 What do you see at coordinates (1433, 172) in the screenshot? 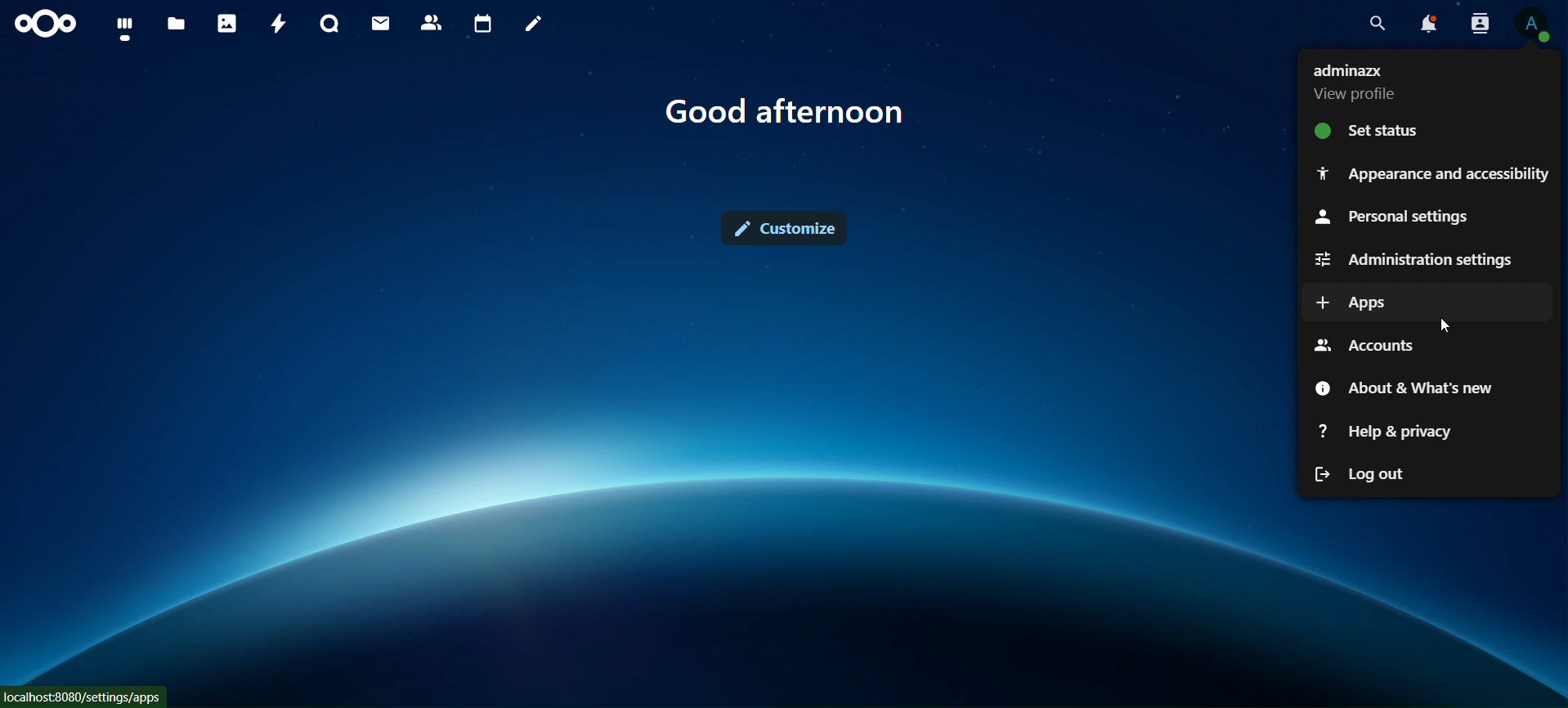
I see `appearance and accessibilty` at bounding box center [1433, 172].